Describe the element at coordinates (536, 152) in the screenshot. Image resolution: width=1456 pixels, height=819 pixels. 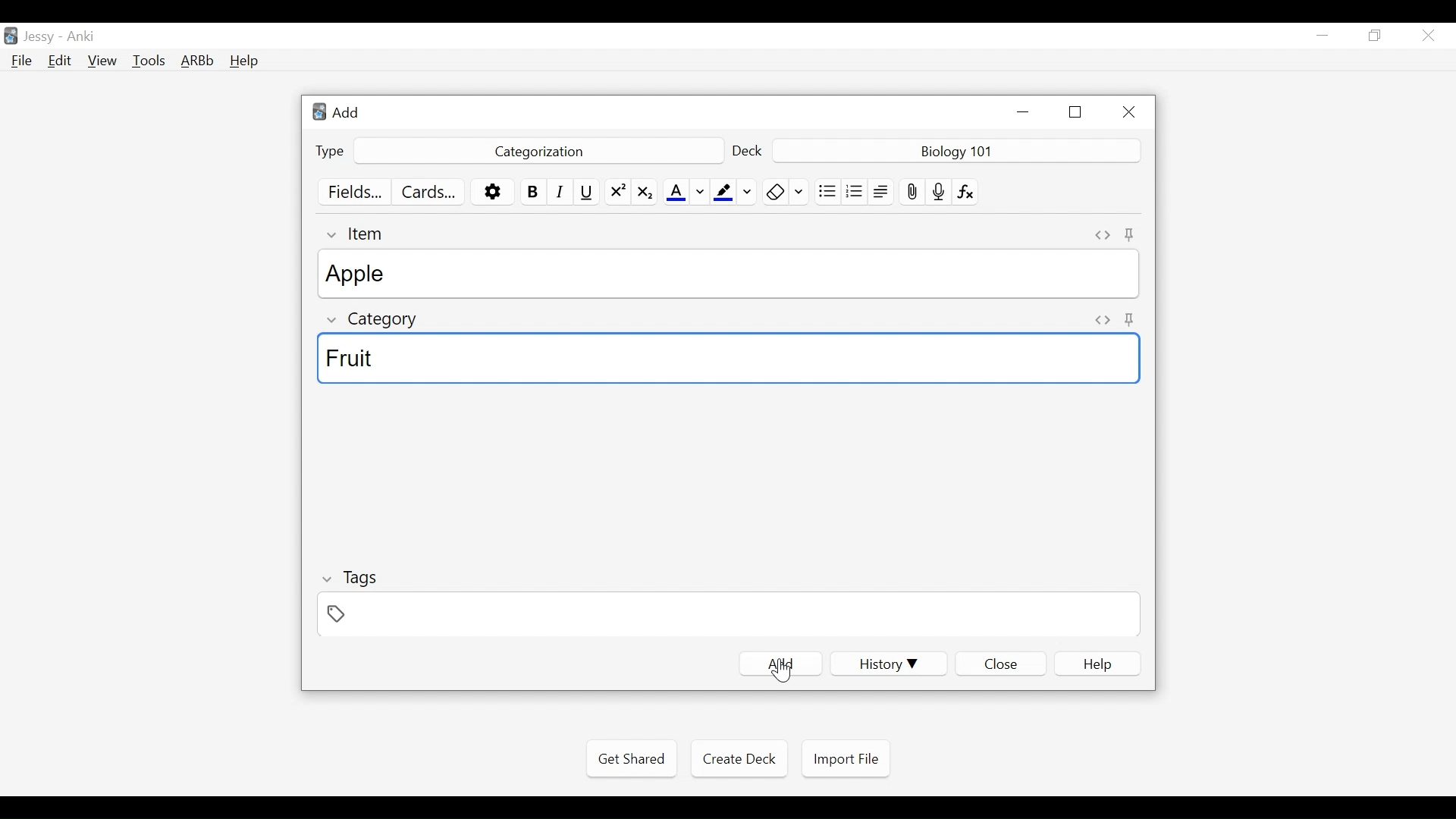
I see `Categorization` at that location.